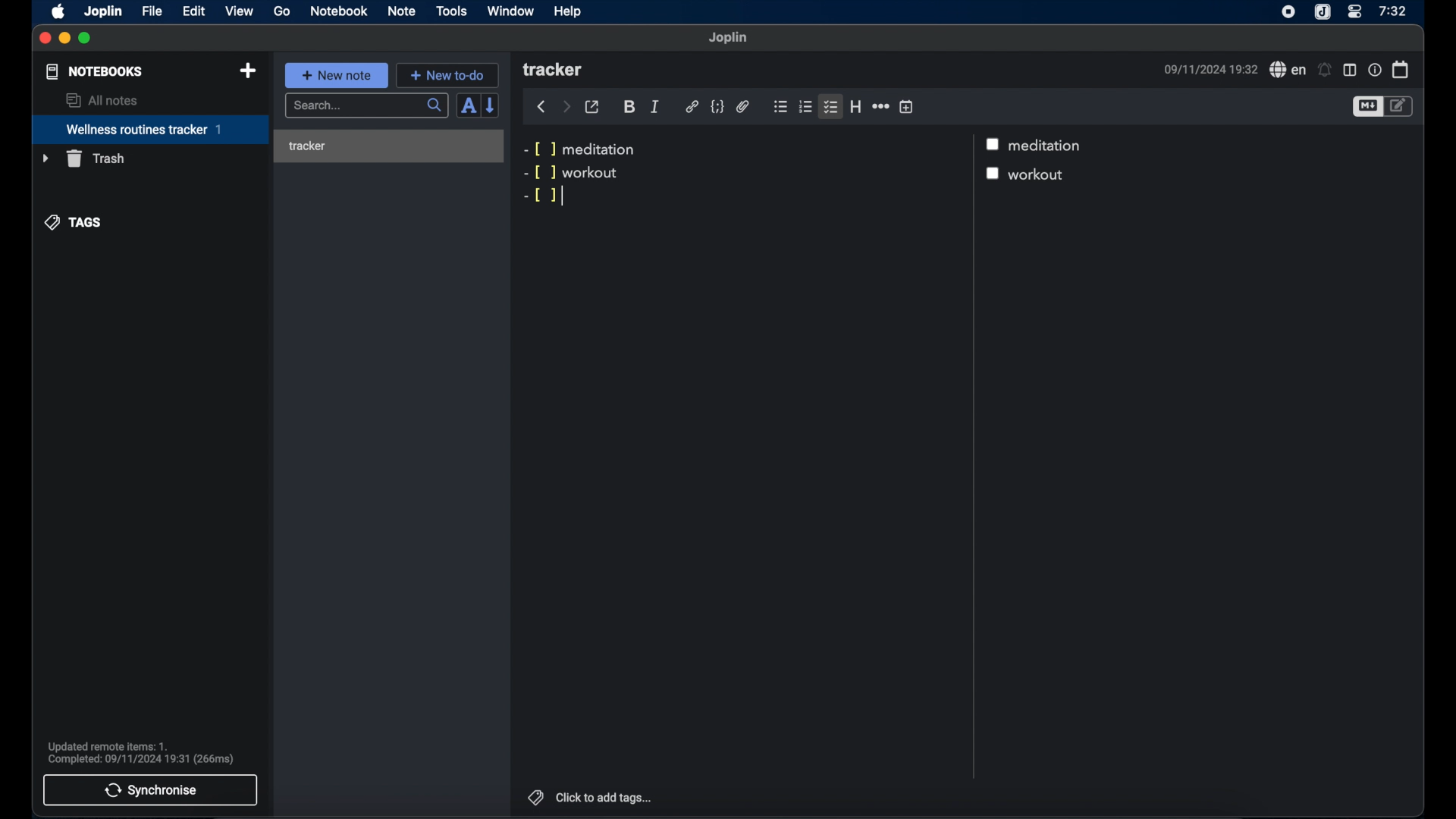  Describe the element at coordinates (249, 71) in the screenshot. I see `new notebook` at that location.